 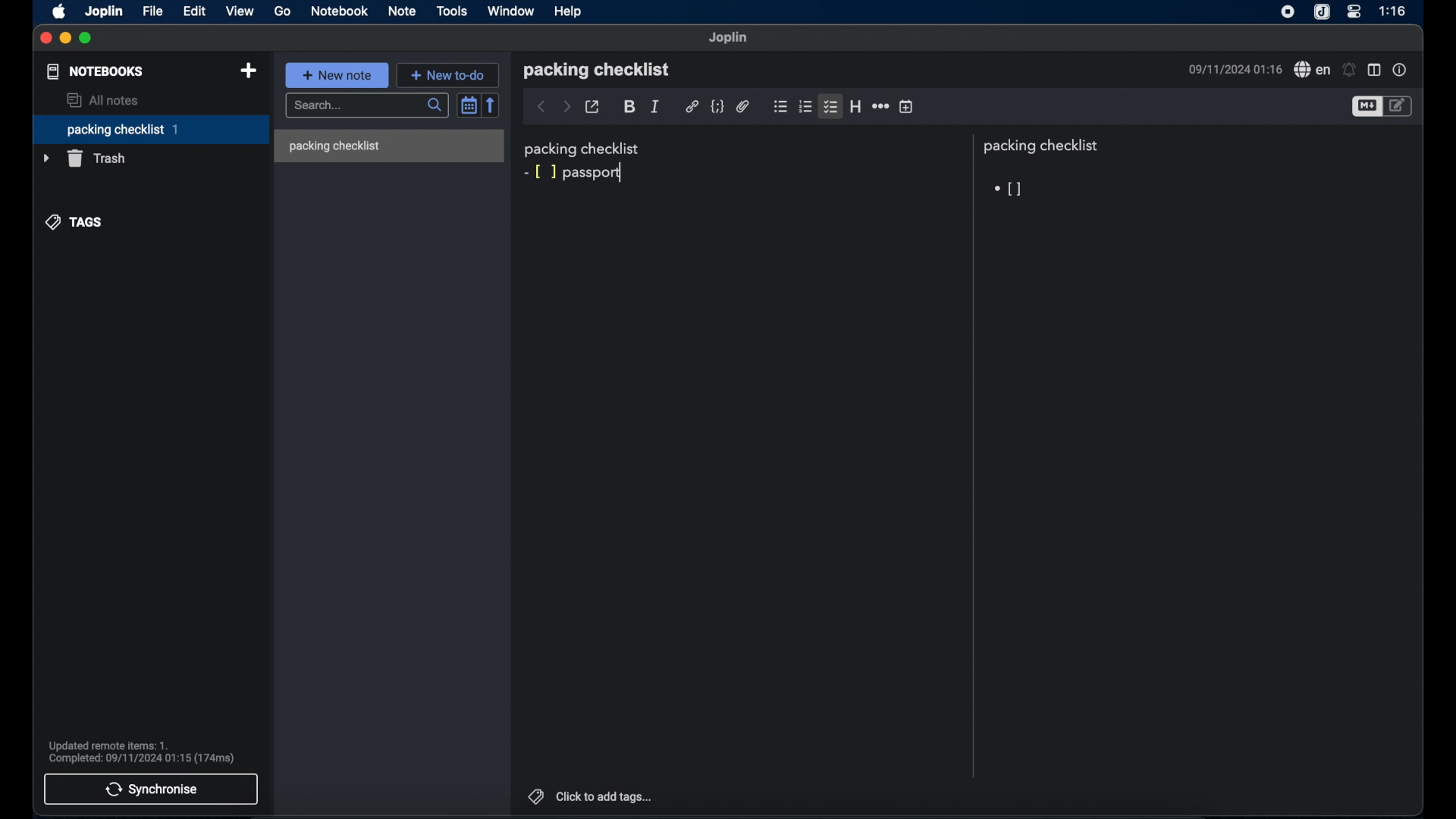 I want to click on control center, so click(x=1355, y=11).